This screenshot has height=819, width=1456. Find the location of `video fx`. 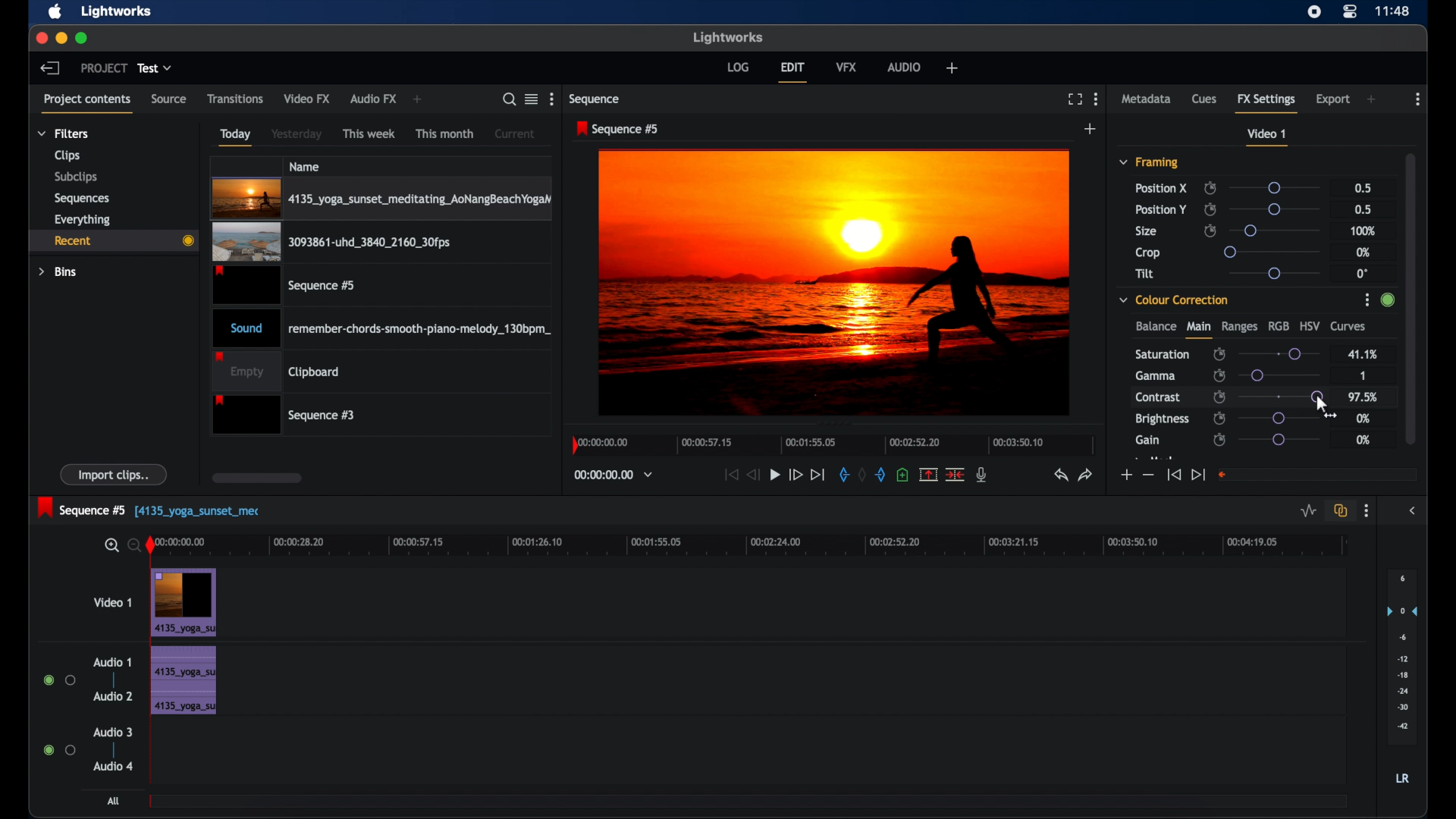

video fx is located at coordinates (308, 99).